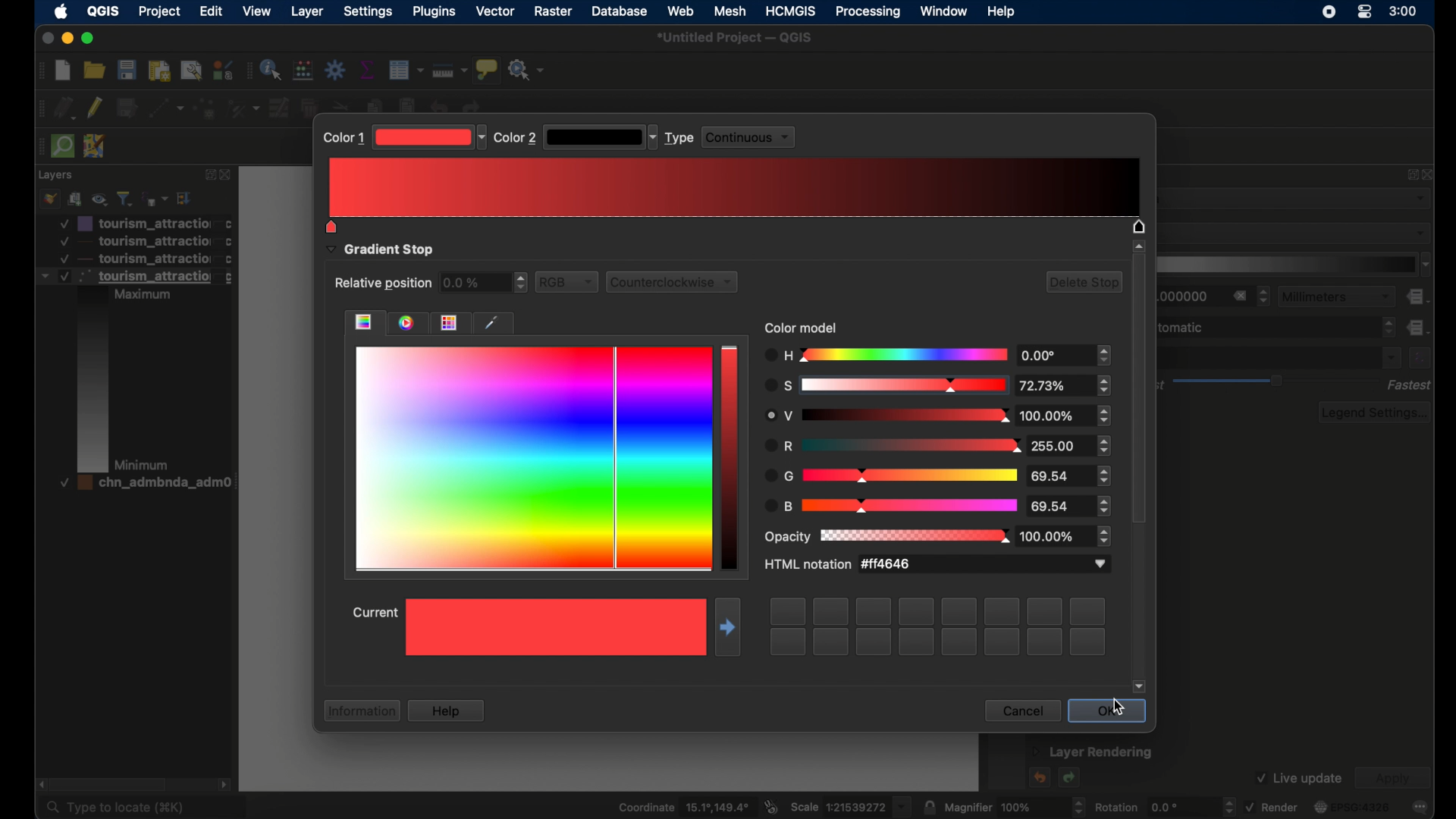  What do you see at coordinates (1296, 265) in the screenshot?
I see `color ramp menu` at bounding box center [1296, 265].